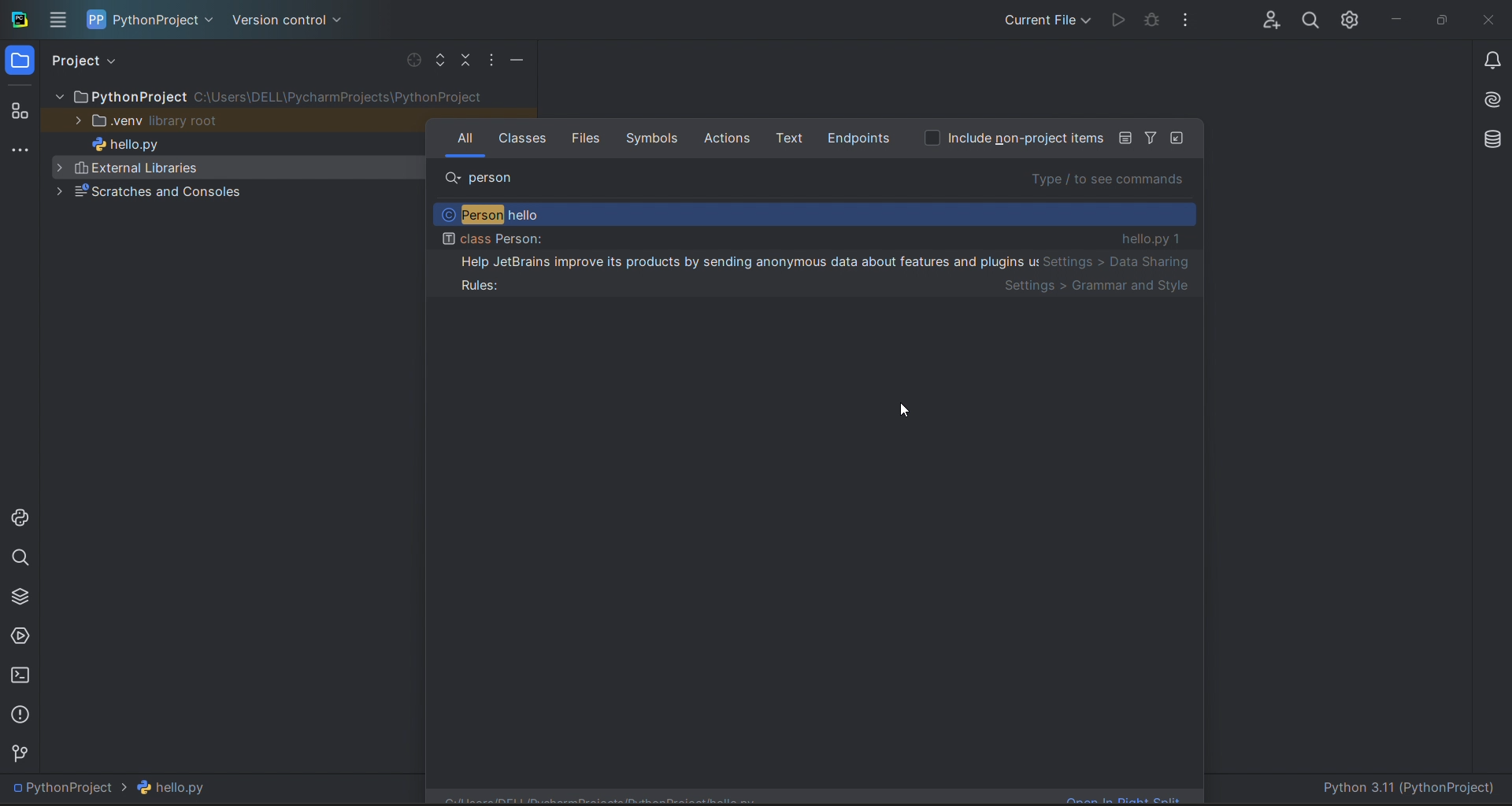 The height and width of the screenshot is (806, 1512). I want to click on Python 3.11 (PythonProject), so click(1411, 788).